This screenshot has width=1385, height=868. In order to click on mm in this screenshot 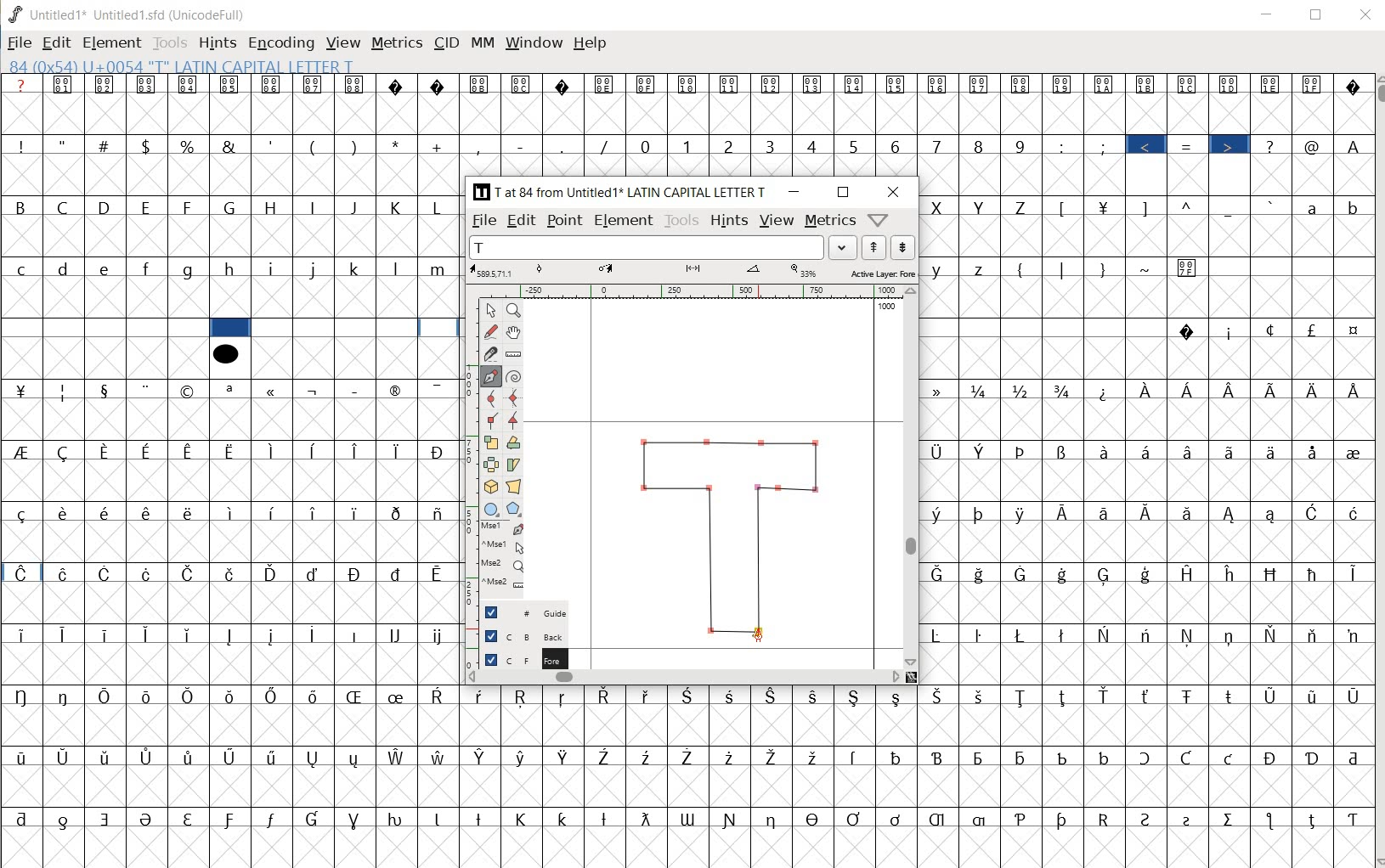, I will do `click(482, 43)`.